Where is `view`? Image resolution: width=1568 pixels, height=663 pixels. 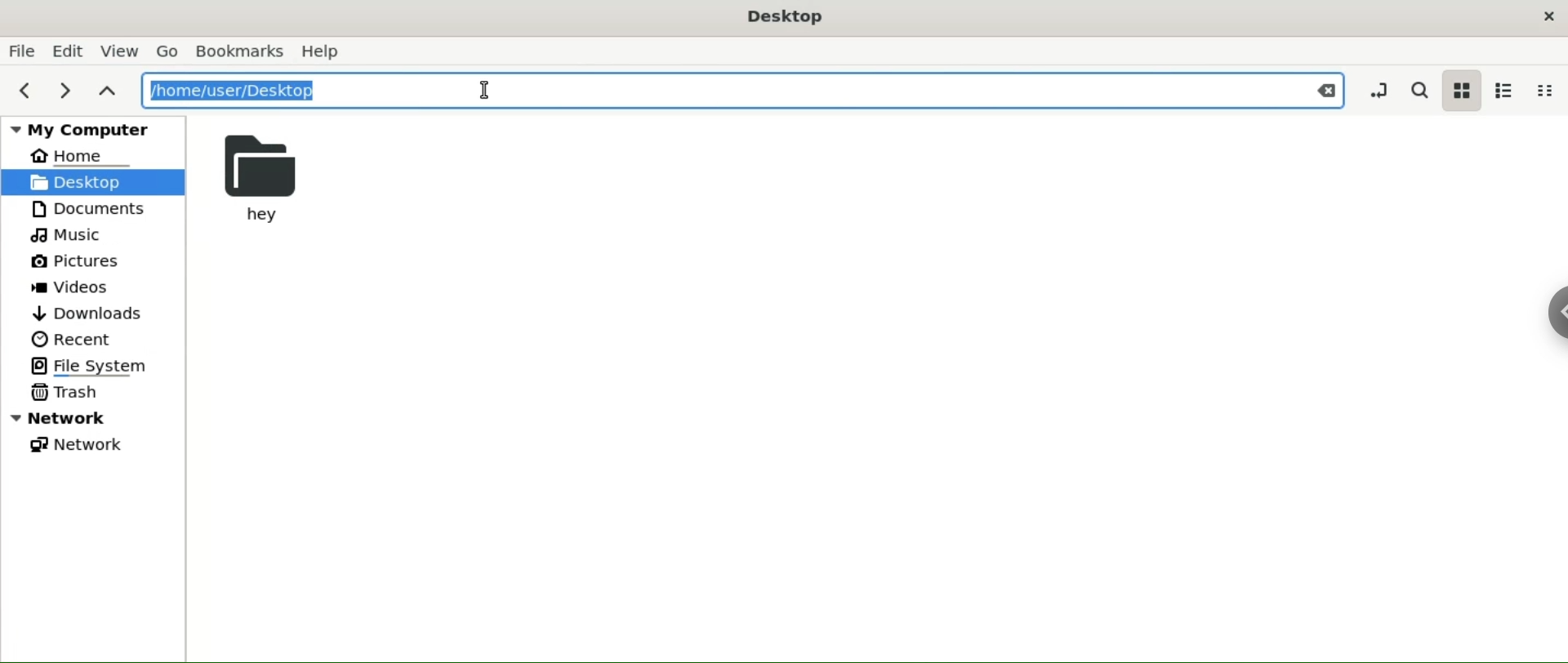 view is located at coordinates (120, 51).